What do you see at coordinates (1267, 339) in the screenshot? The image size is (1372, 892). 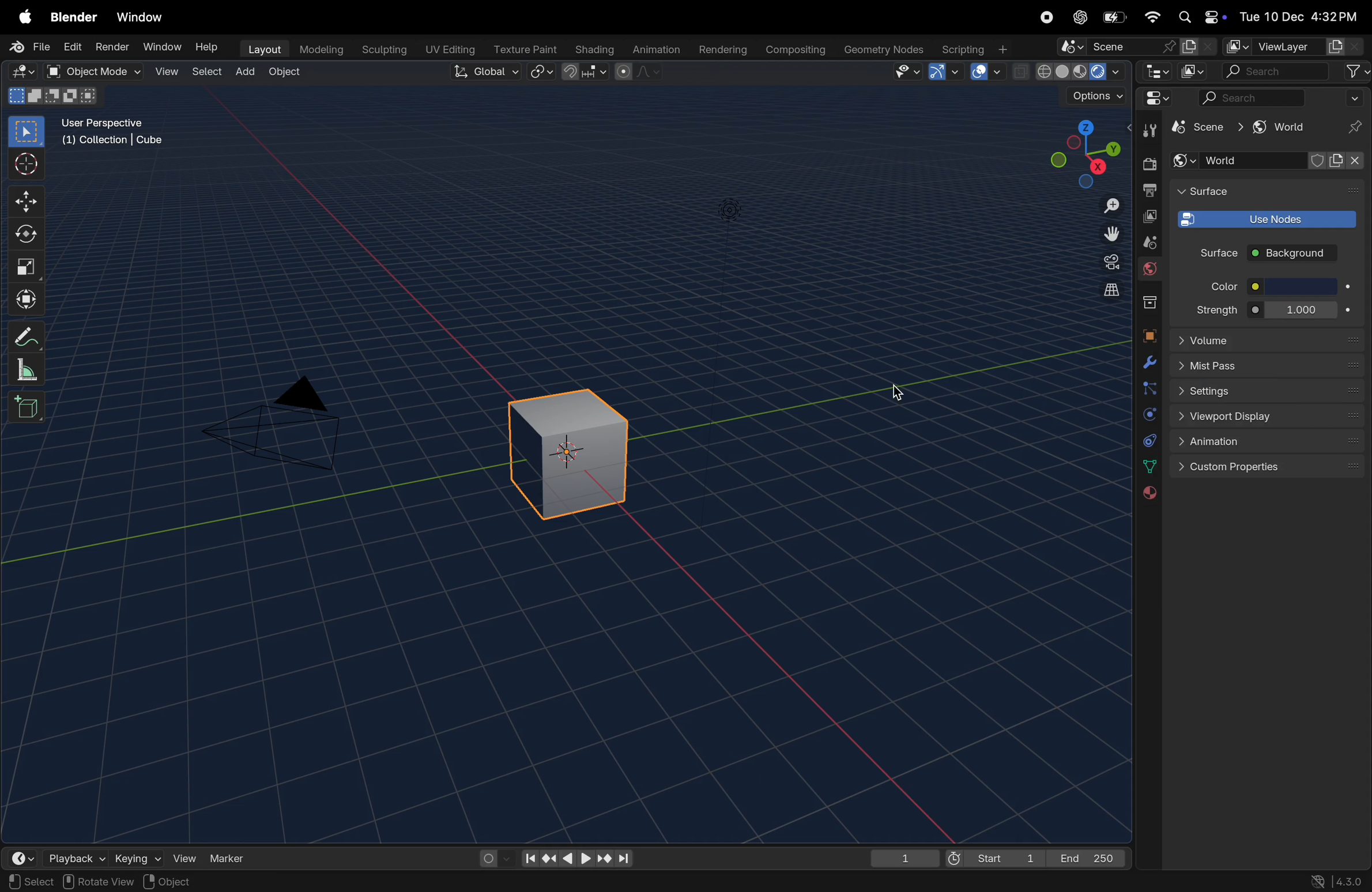 I see `volume` at bounding box center [1267, 339].